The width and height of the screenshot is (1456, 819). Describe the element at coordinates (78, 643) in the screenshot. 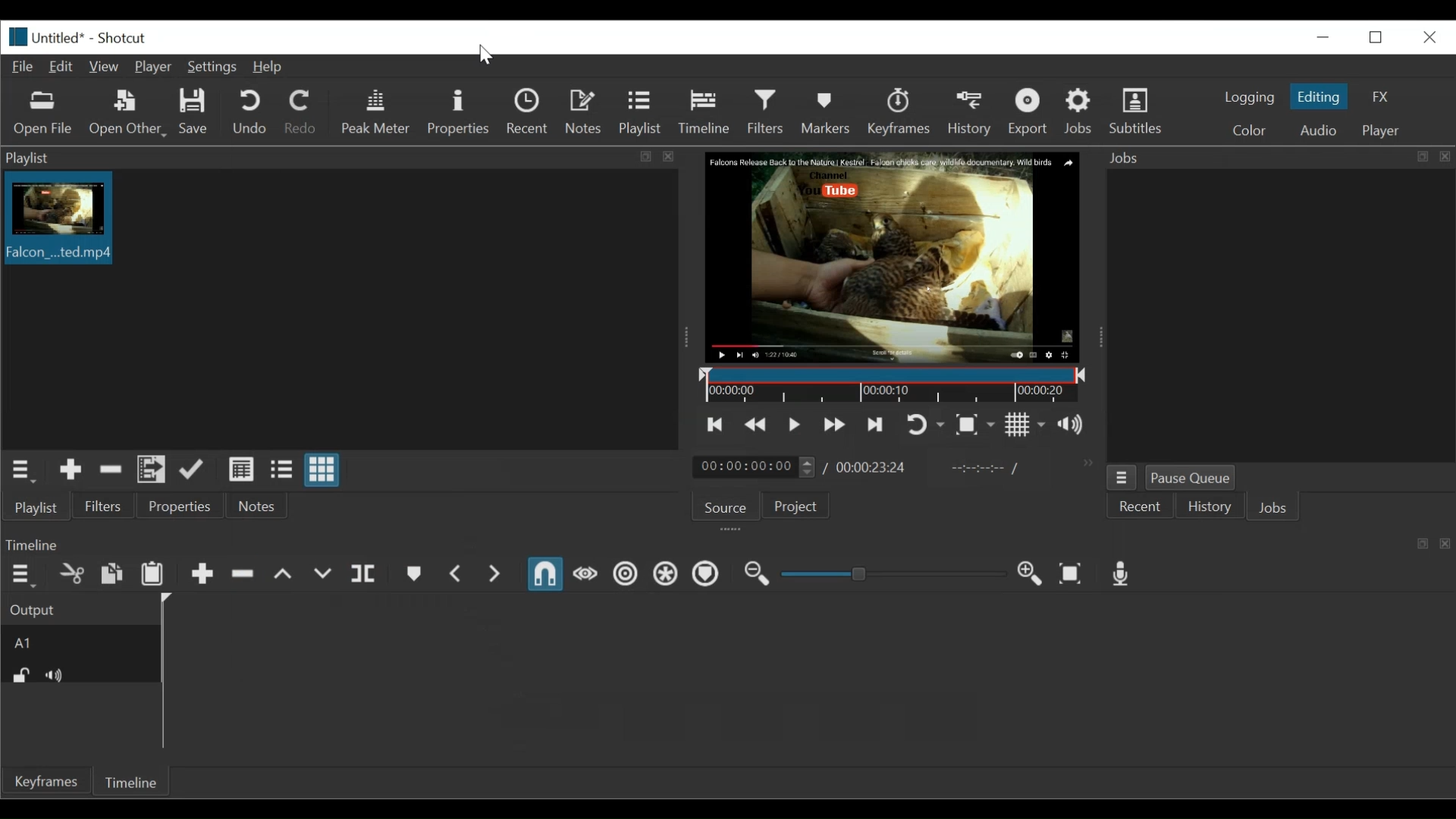

I see `A1` at that location.